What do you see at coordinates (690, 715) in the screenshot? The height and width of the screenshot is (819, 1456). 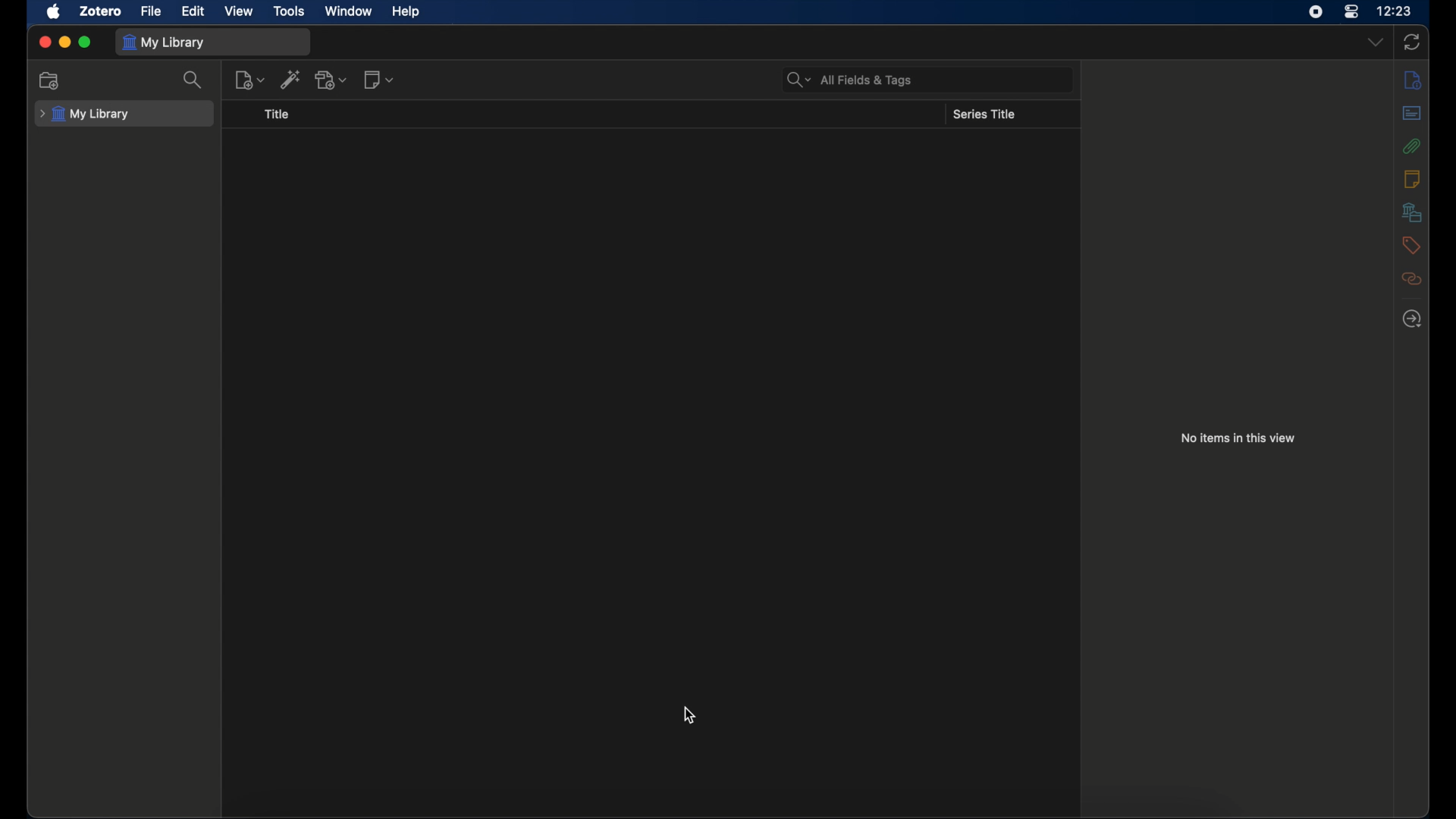 I see `cursor` at bounding box center [690, 715].